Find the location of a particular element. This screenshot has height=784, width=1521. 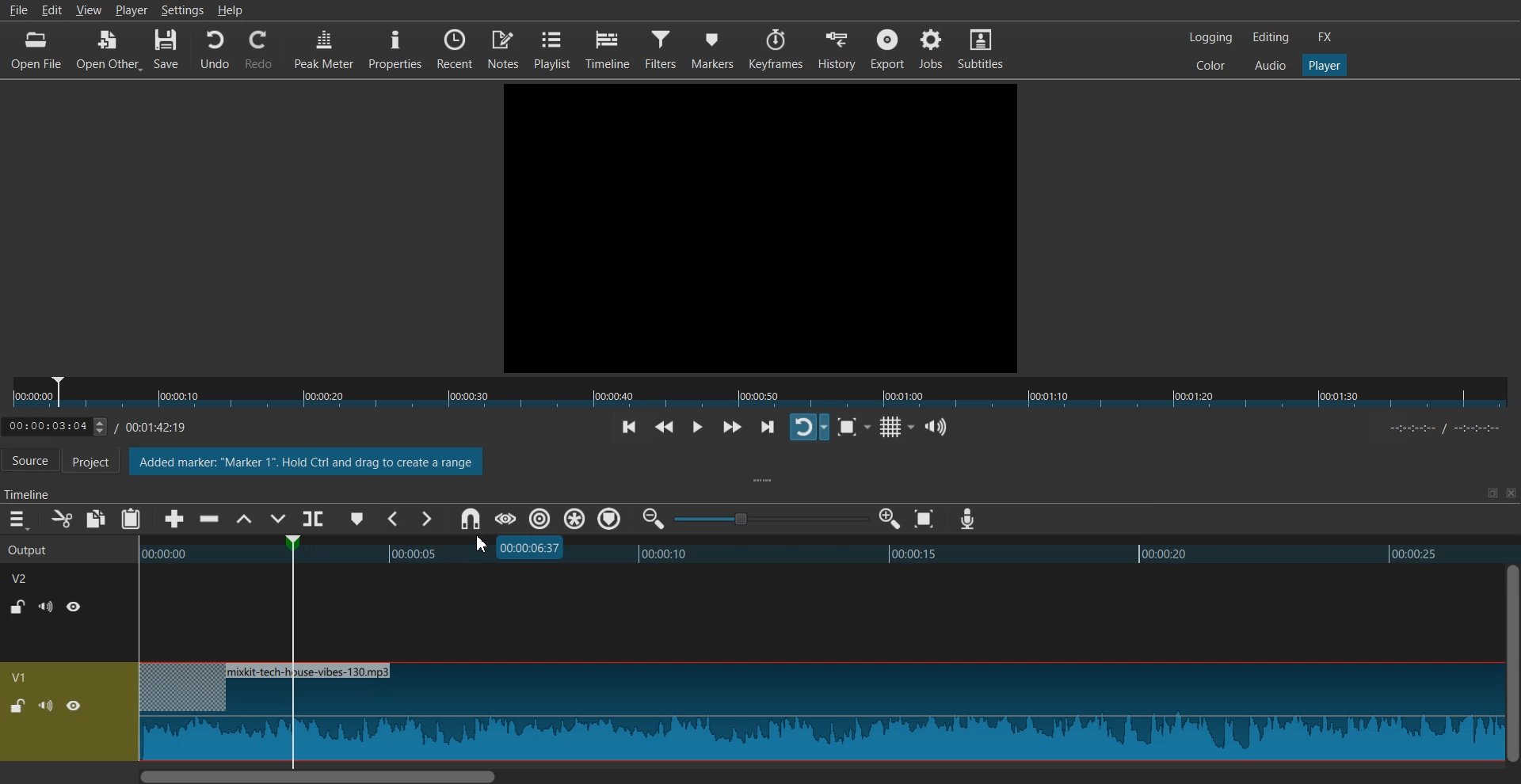

Project is located at coordinates (99, 462).